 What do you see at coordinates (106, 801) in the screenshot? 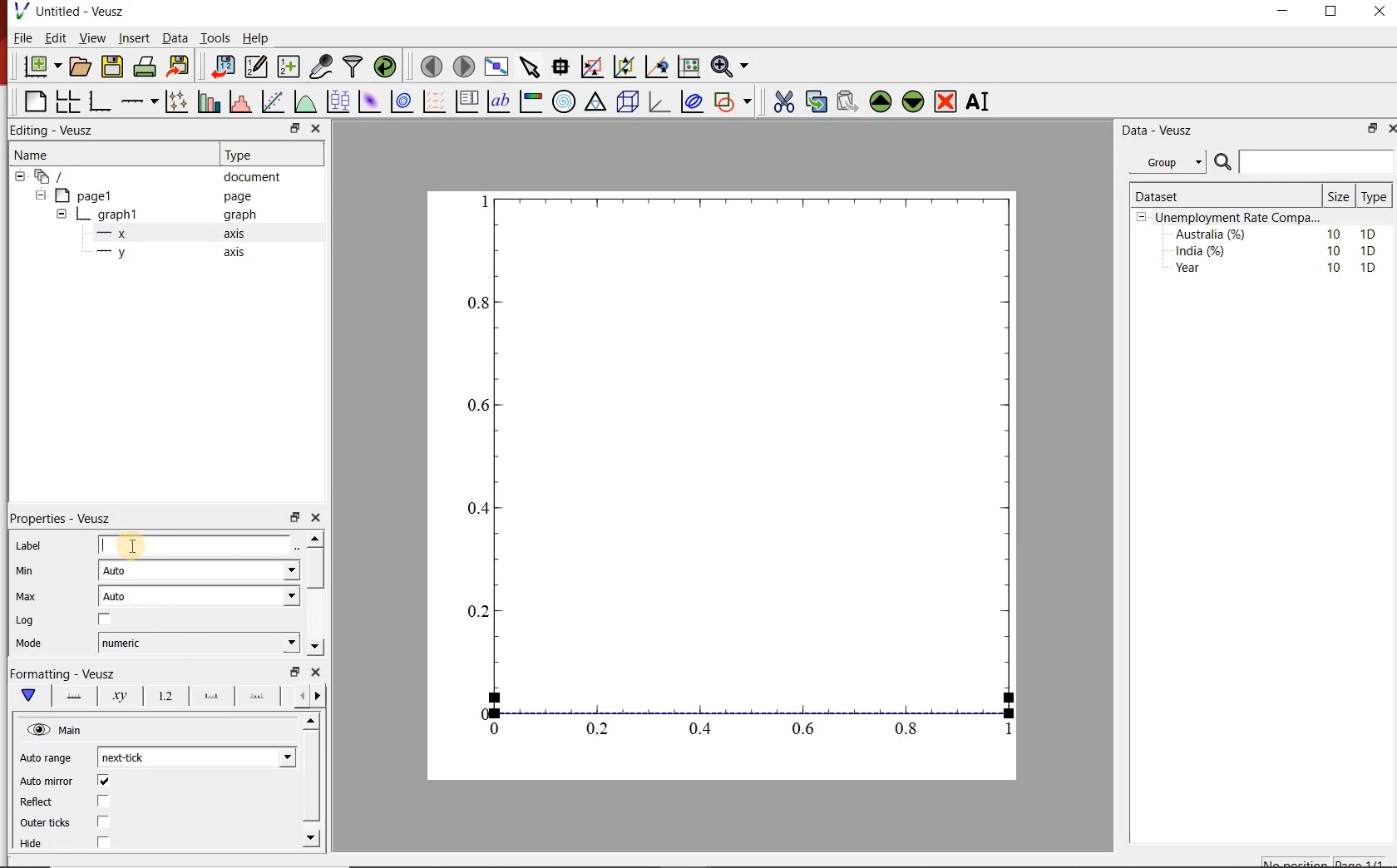
I see `checkbox` at bounding box center [106, 801].